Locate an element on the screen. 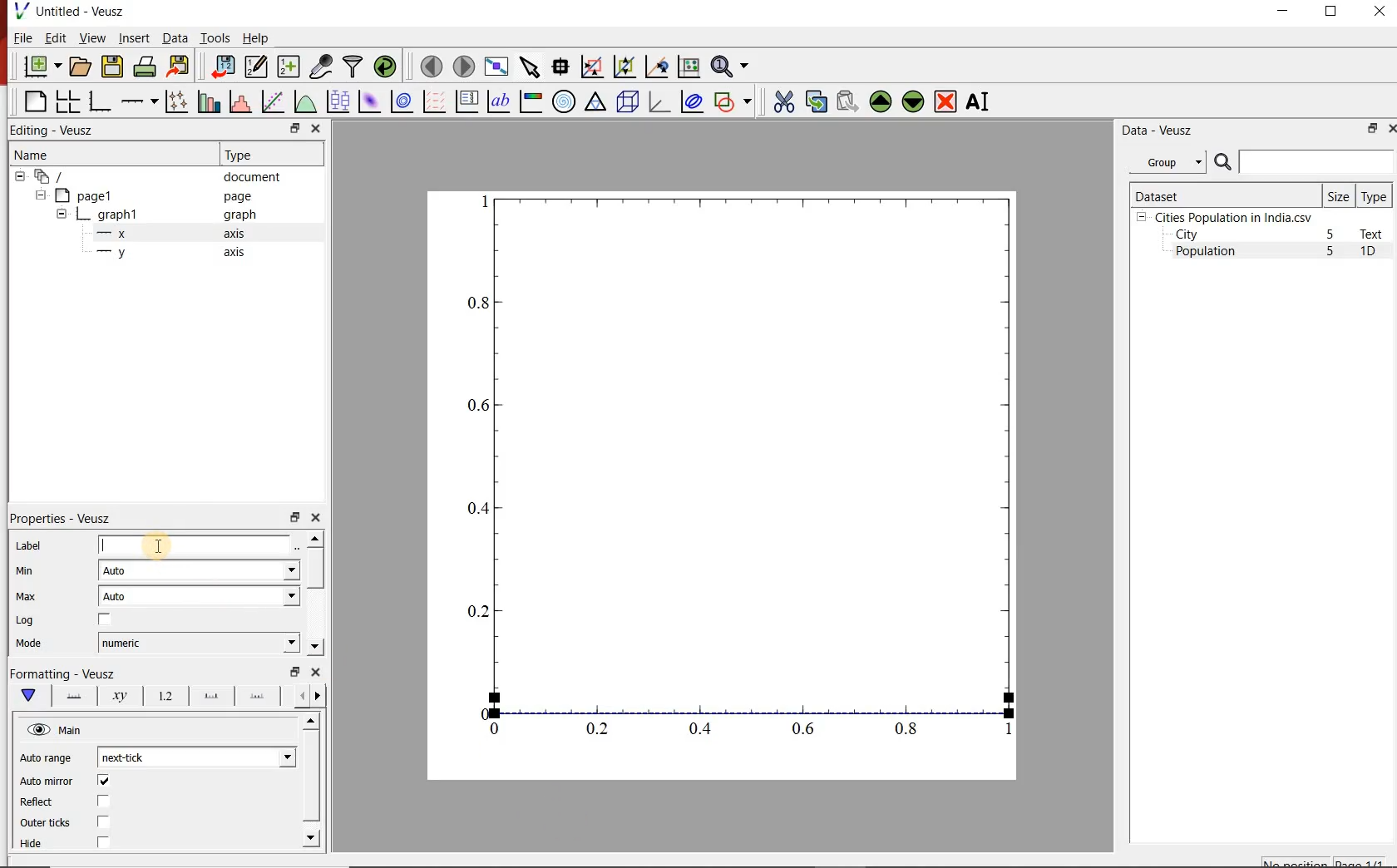  Auto is located at coordinates (199, 596).